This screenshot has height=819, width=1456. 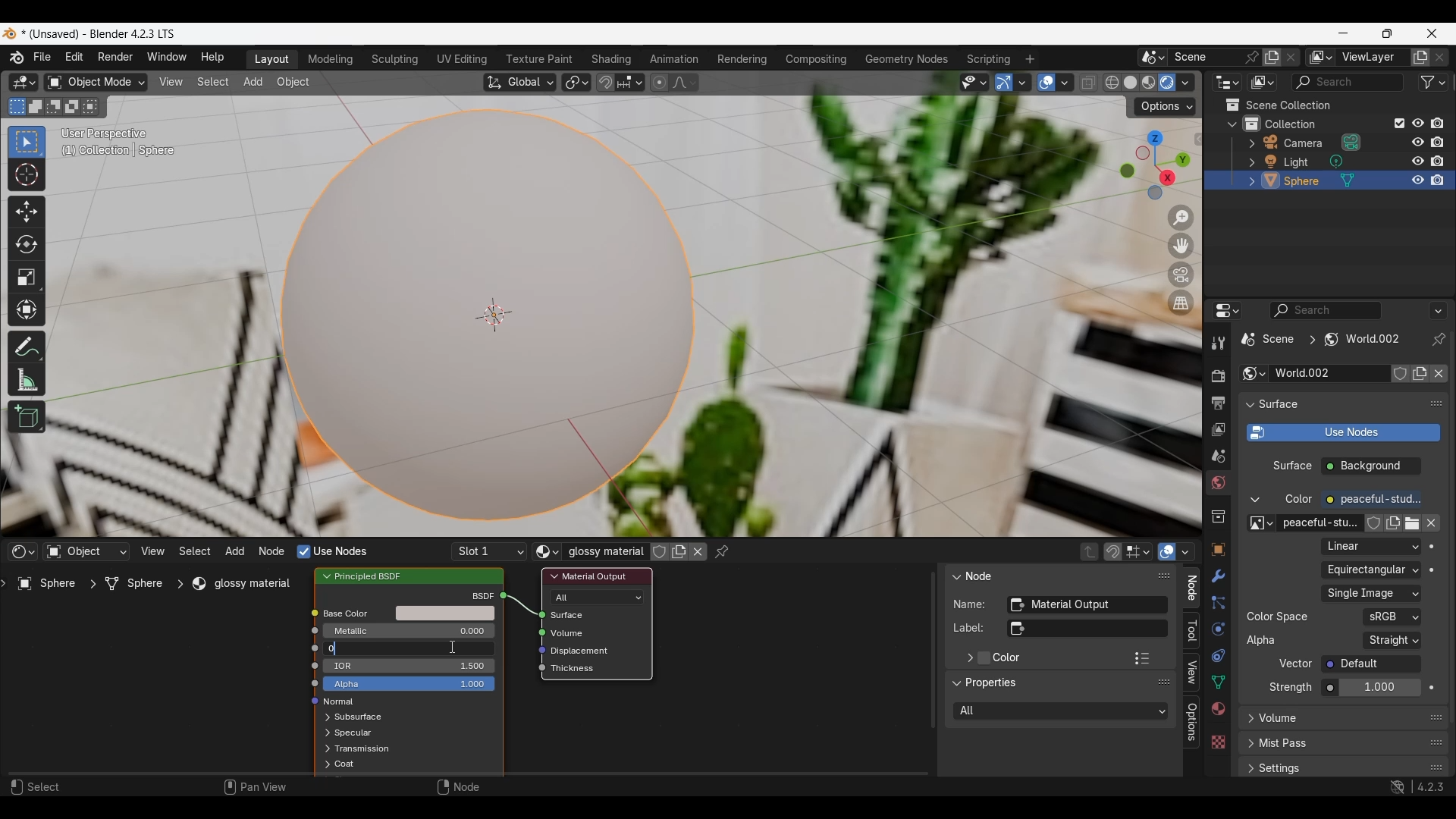 What do you see at coordinates (325, 749) in the screenshot?
I see `expand respective scenes` at bounding box center [325, 749].